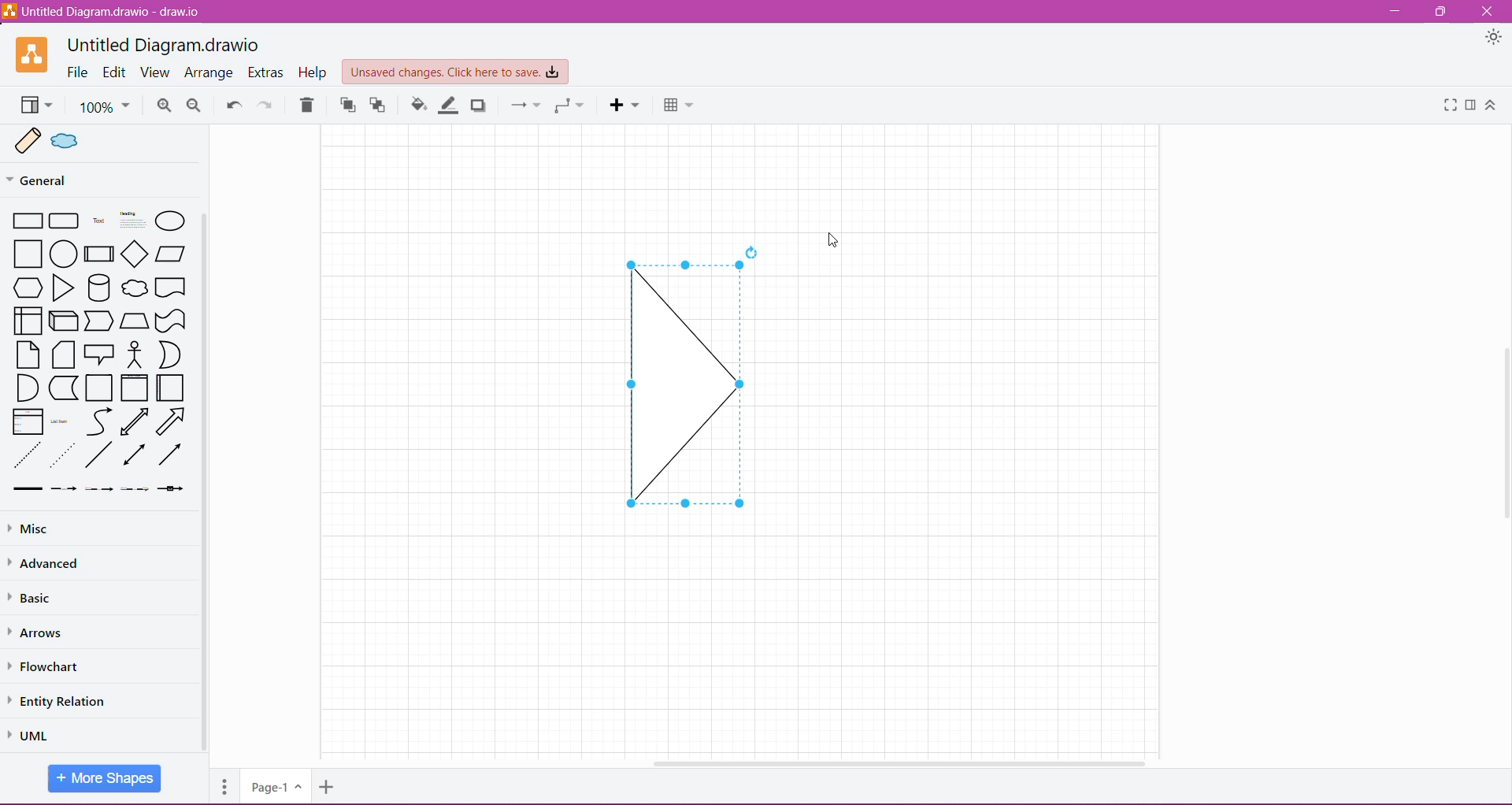  Describe the element at coordinates (115, 72) in the screenshot. I see `Edit` at that location.